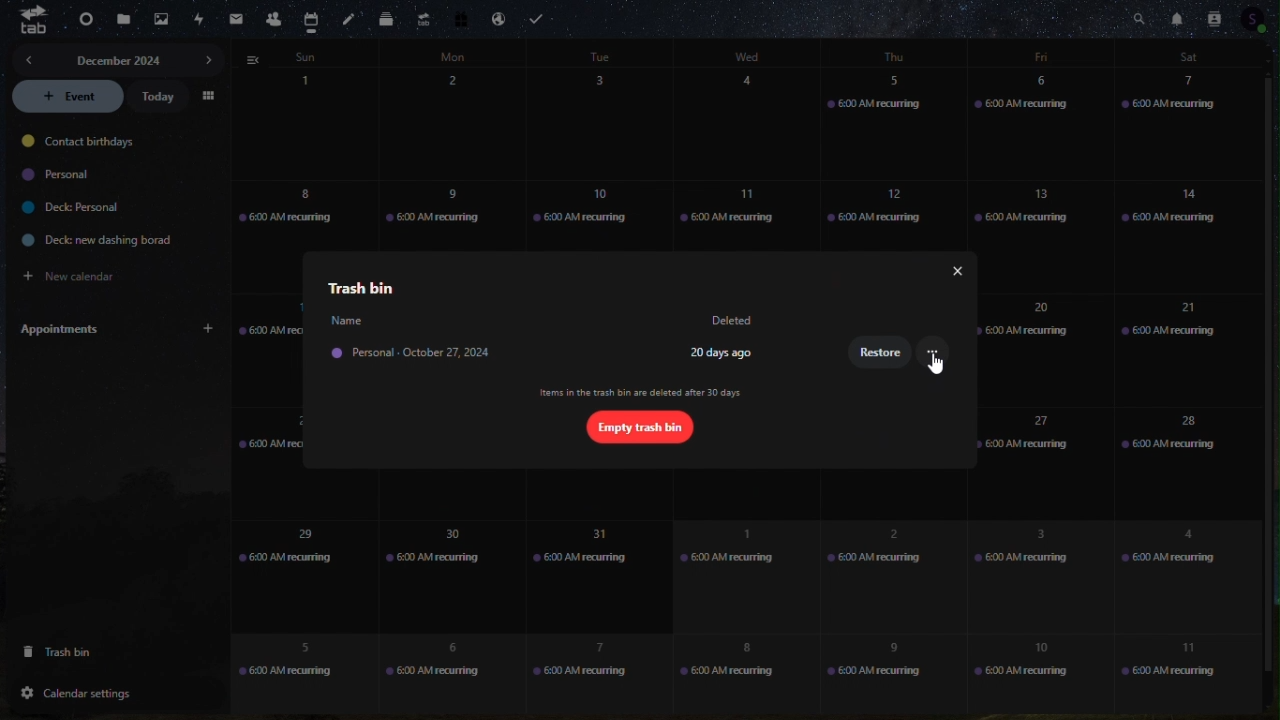 This screenshot has width=1280, height=720. What do you see at coordinates (876, 673) in the screenshot?
I see `9` at bounding box center [876, 673].